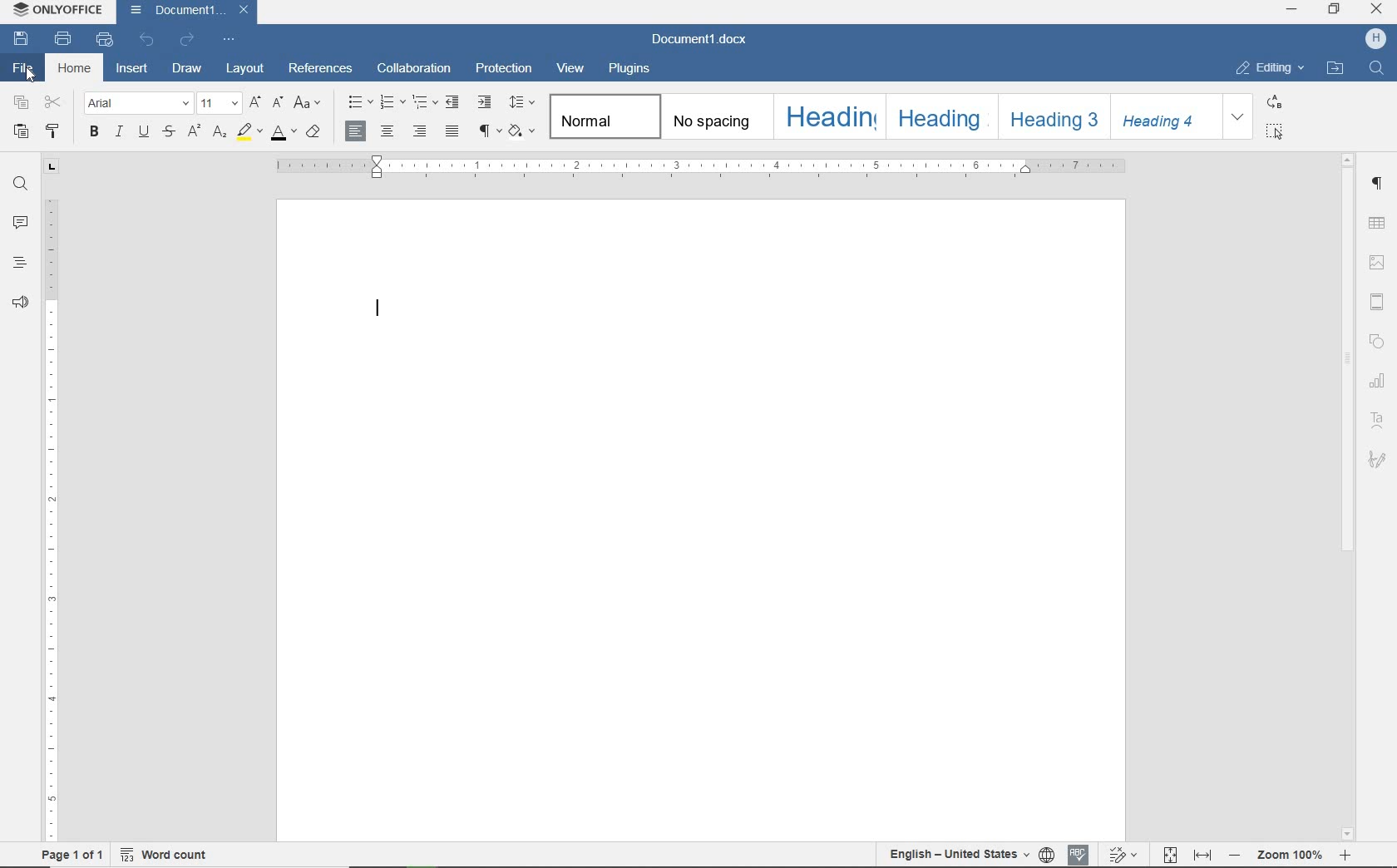  I want to click on heading 3, so click(1052, 116).